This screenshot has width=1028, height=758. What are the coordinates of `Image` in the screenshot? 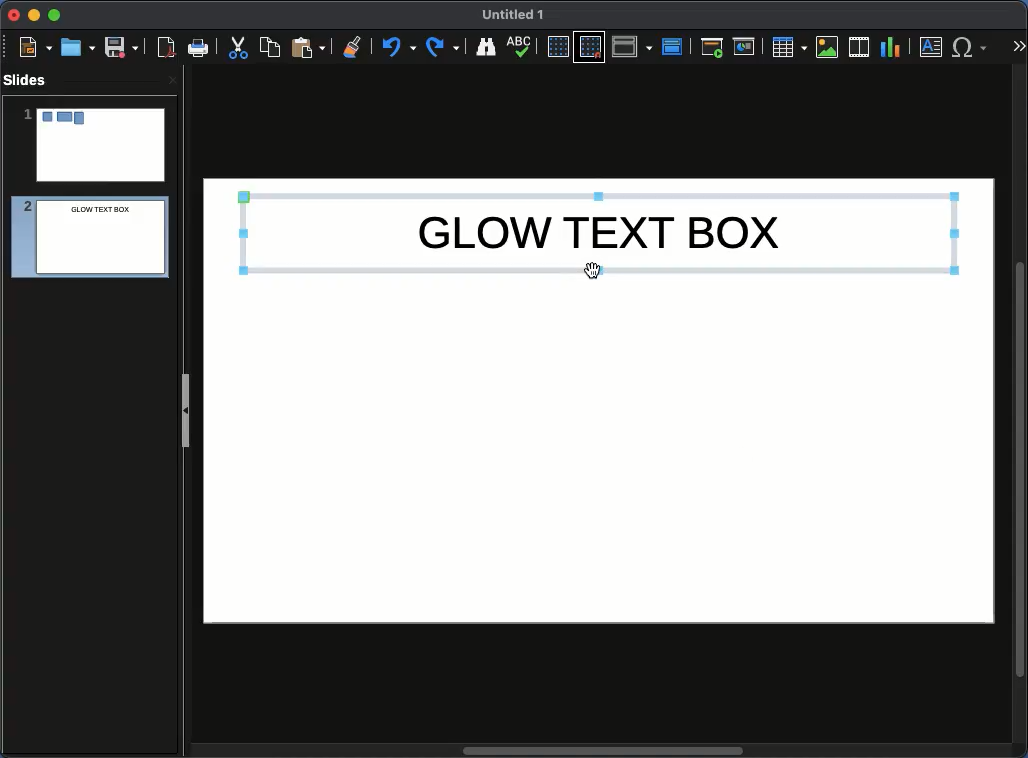 It's located at (828, 47).